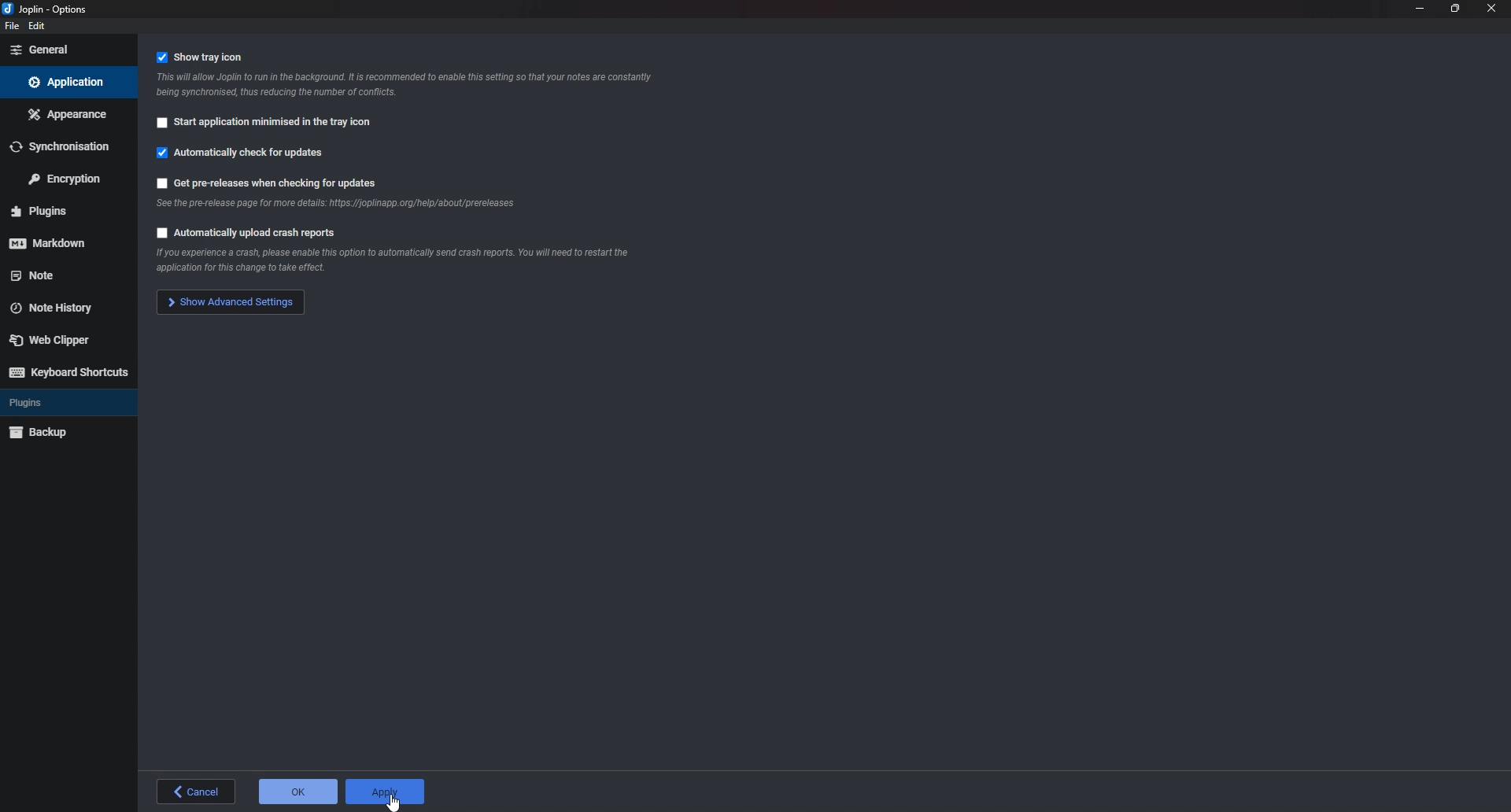 The width and height of the screenshot is (1511, 812). Describe the element at coordinates (56, 244) in the screenshot. I see `markdown` at that location.